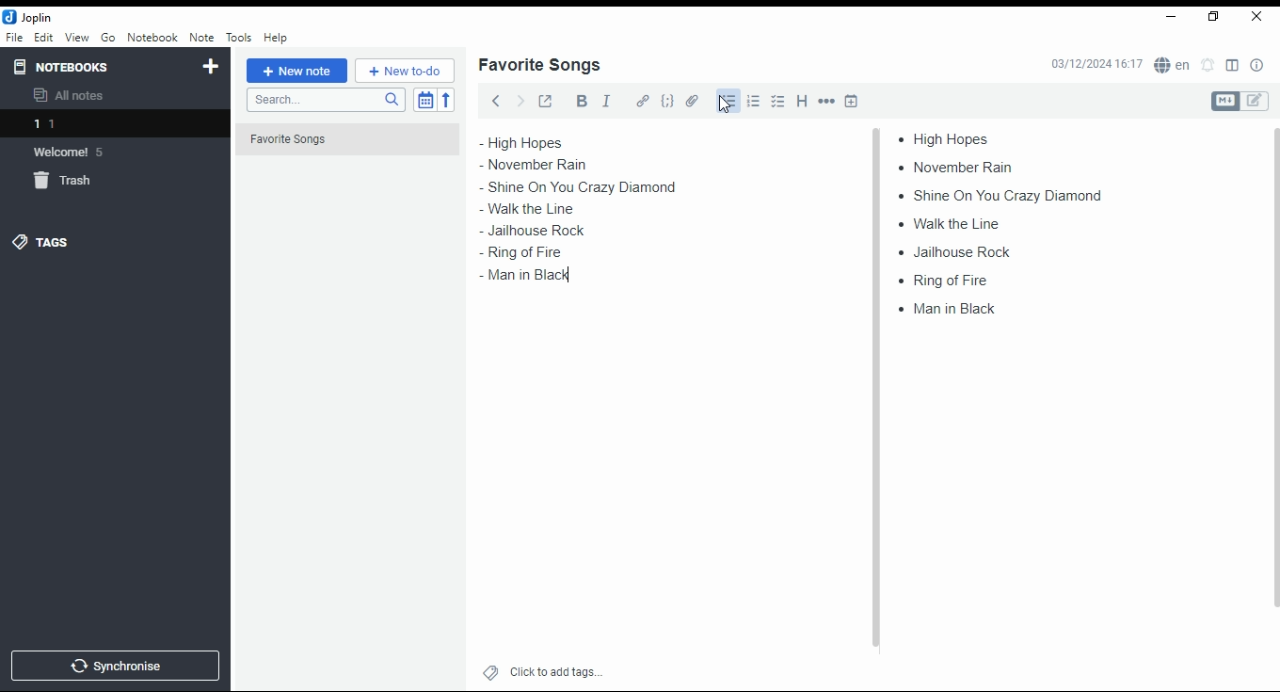 The height and width of the screenshot is (692, 1280). I want to click on new note, so click(297, 71).